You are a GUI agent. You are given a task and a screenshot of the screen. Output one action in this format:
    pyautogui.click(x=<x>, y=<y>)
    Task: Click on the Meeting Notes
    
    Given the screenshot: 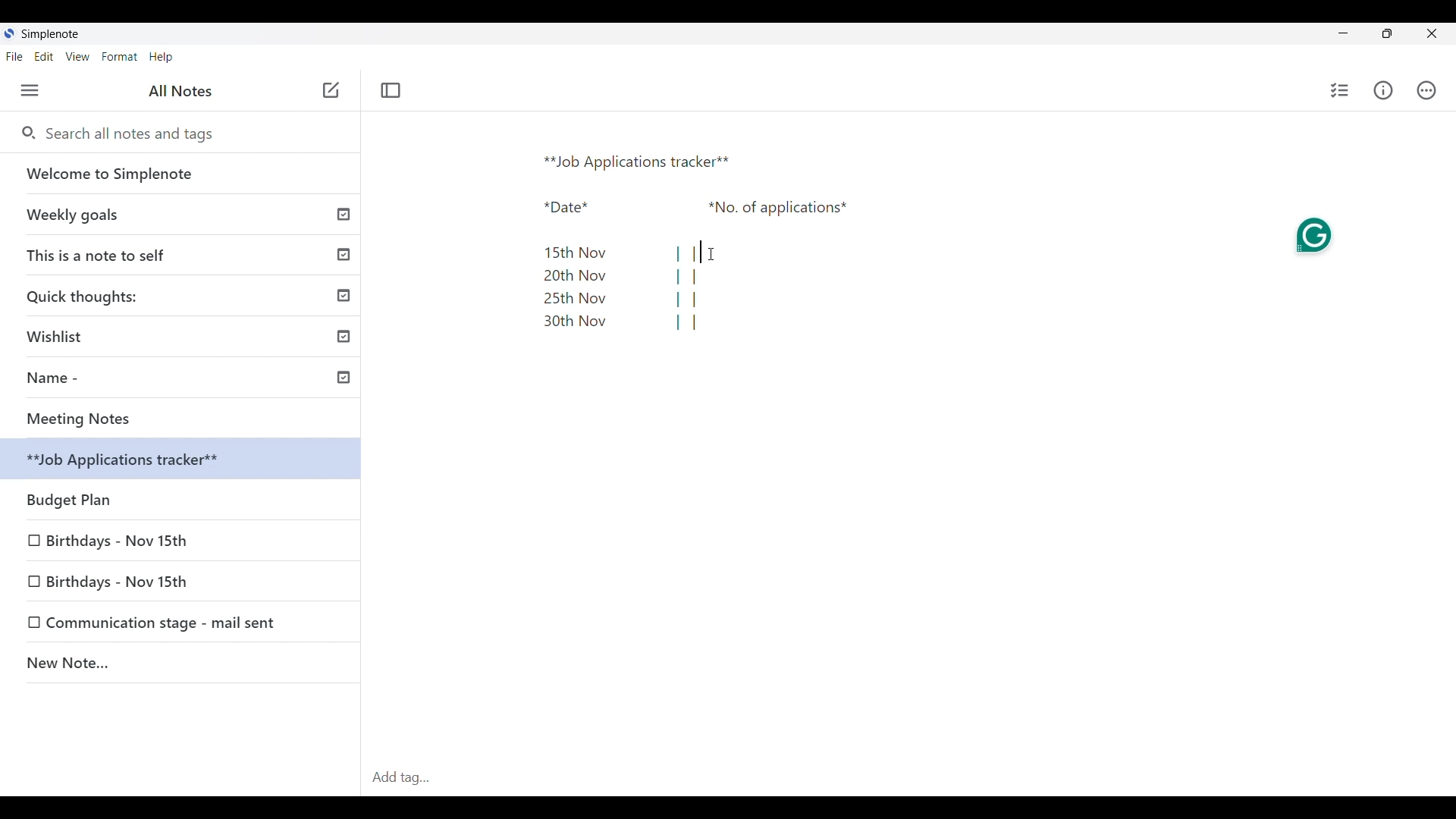 What is the action you would take?
    pyautogui.click(x=186, y=419)
    